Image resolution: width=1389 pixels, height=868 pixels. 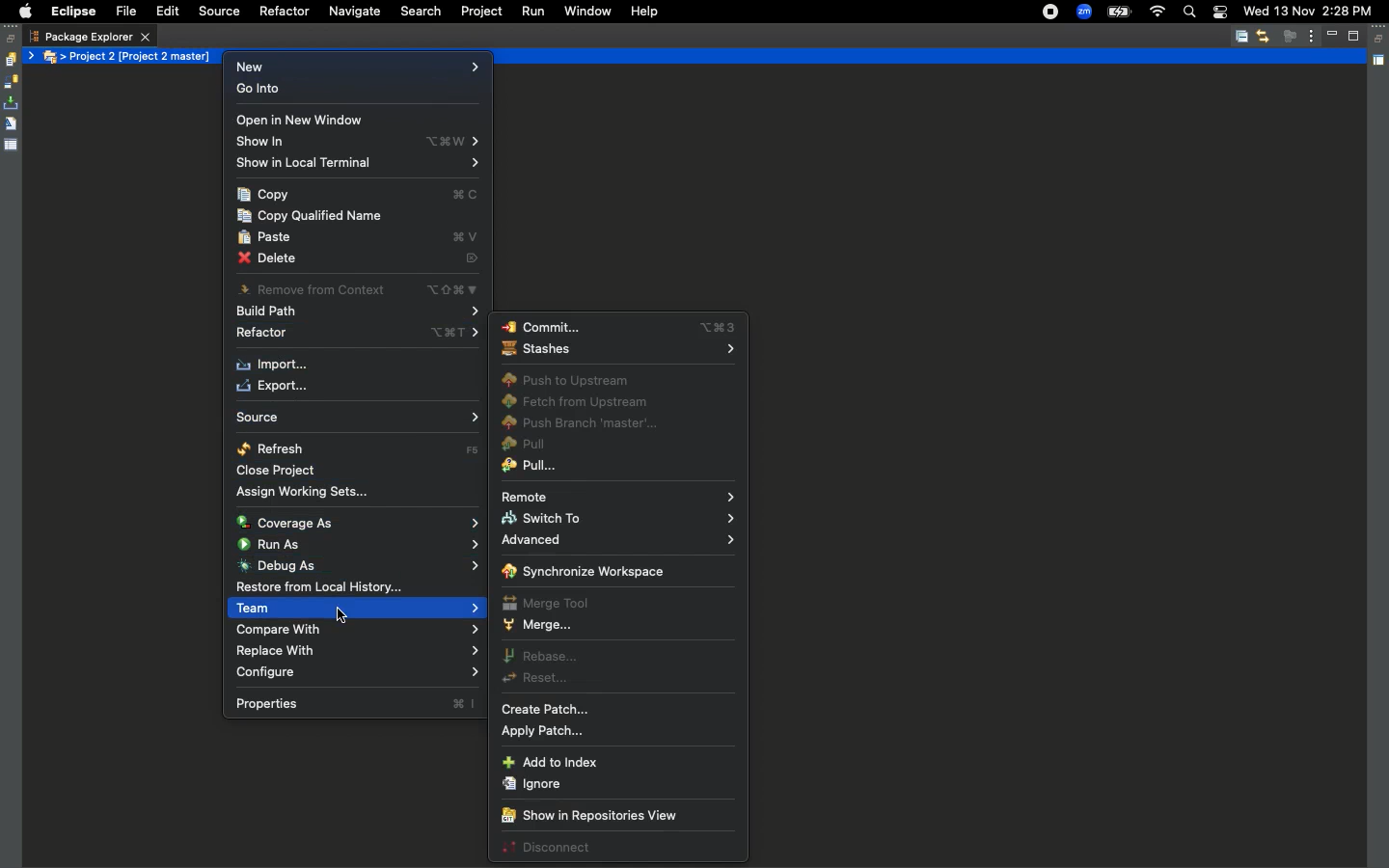 I want to click on Folder Icon, so click(x=53, y=58).